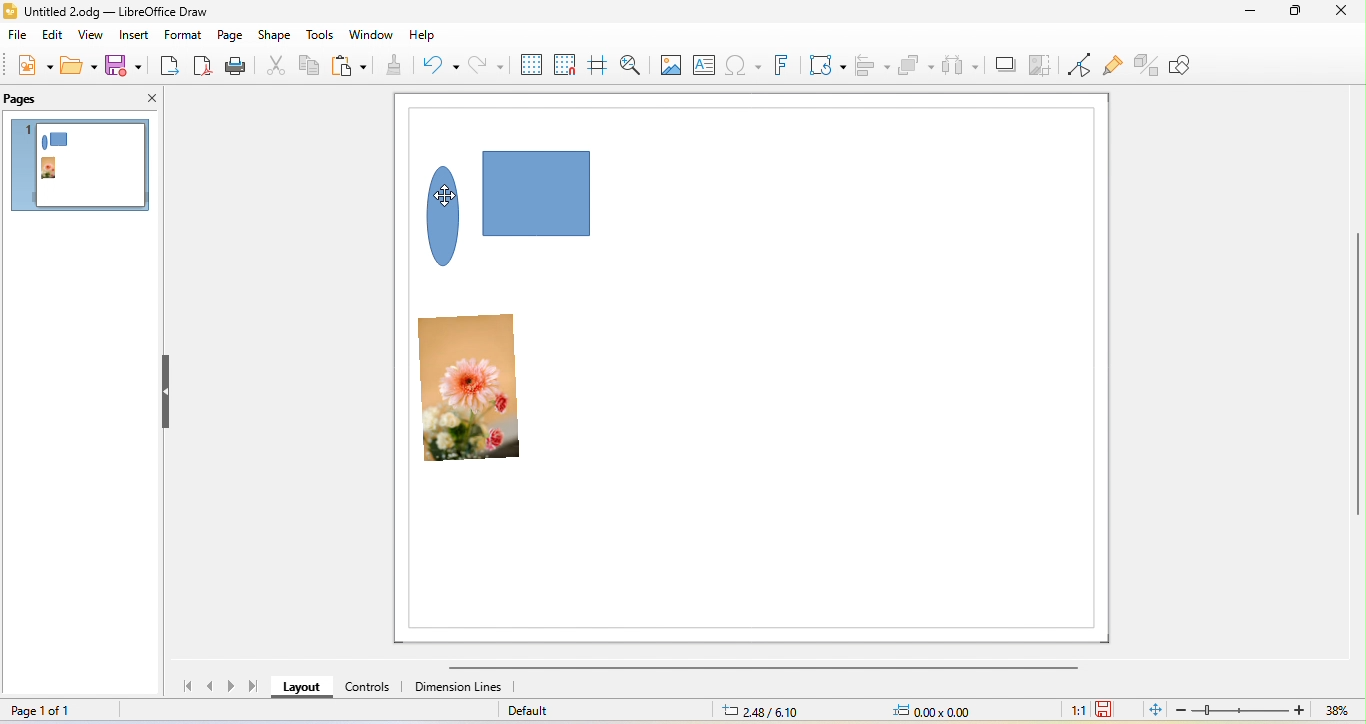  Describe the element at coordinates (27, 68) in the screenshot. I see `new` at that location.